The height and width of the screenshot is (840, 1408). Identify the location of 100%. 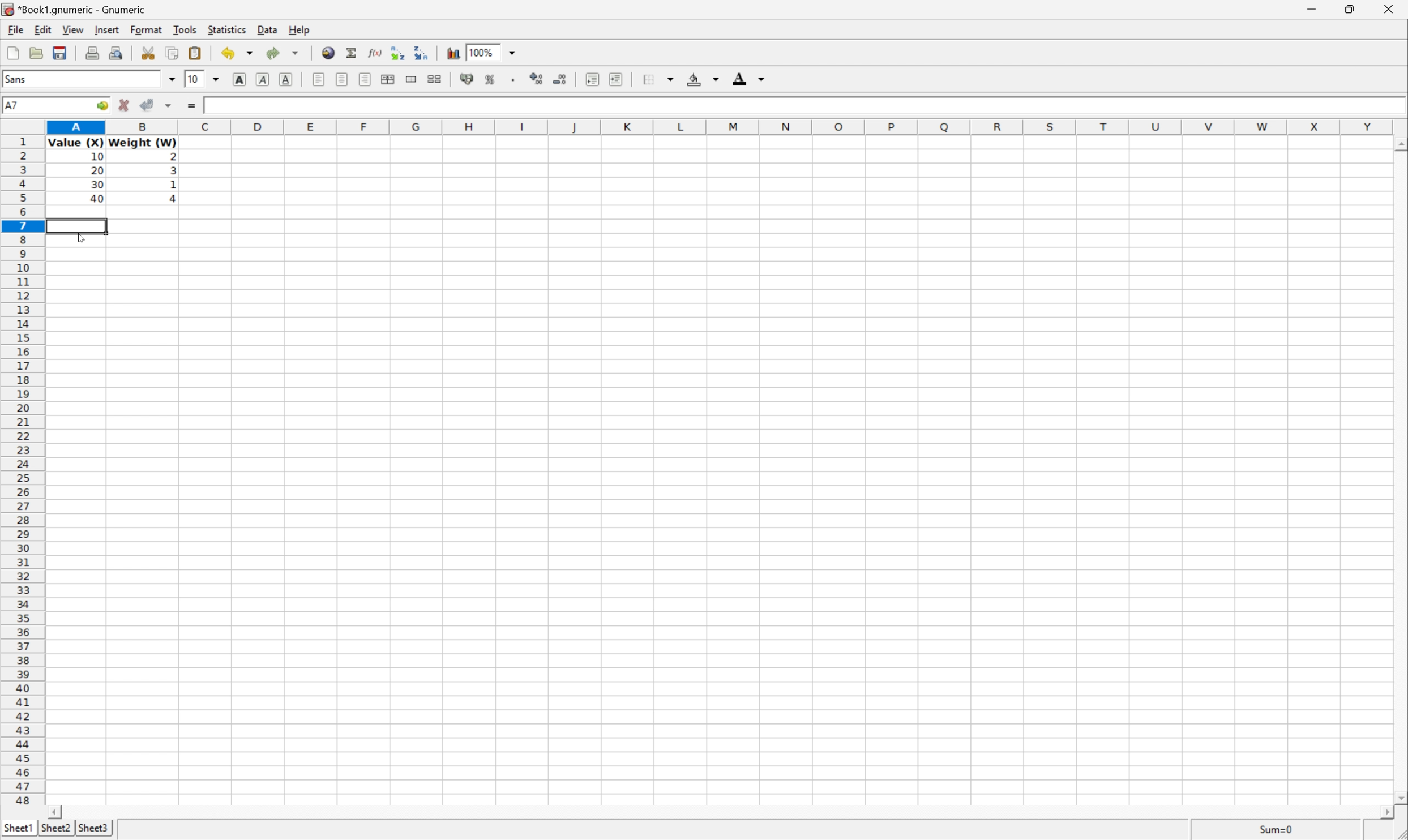
(481, 52).